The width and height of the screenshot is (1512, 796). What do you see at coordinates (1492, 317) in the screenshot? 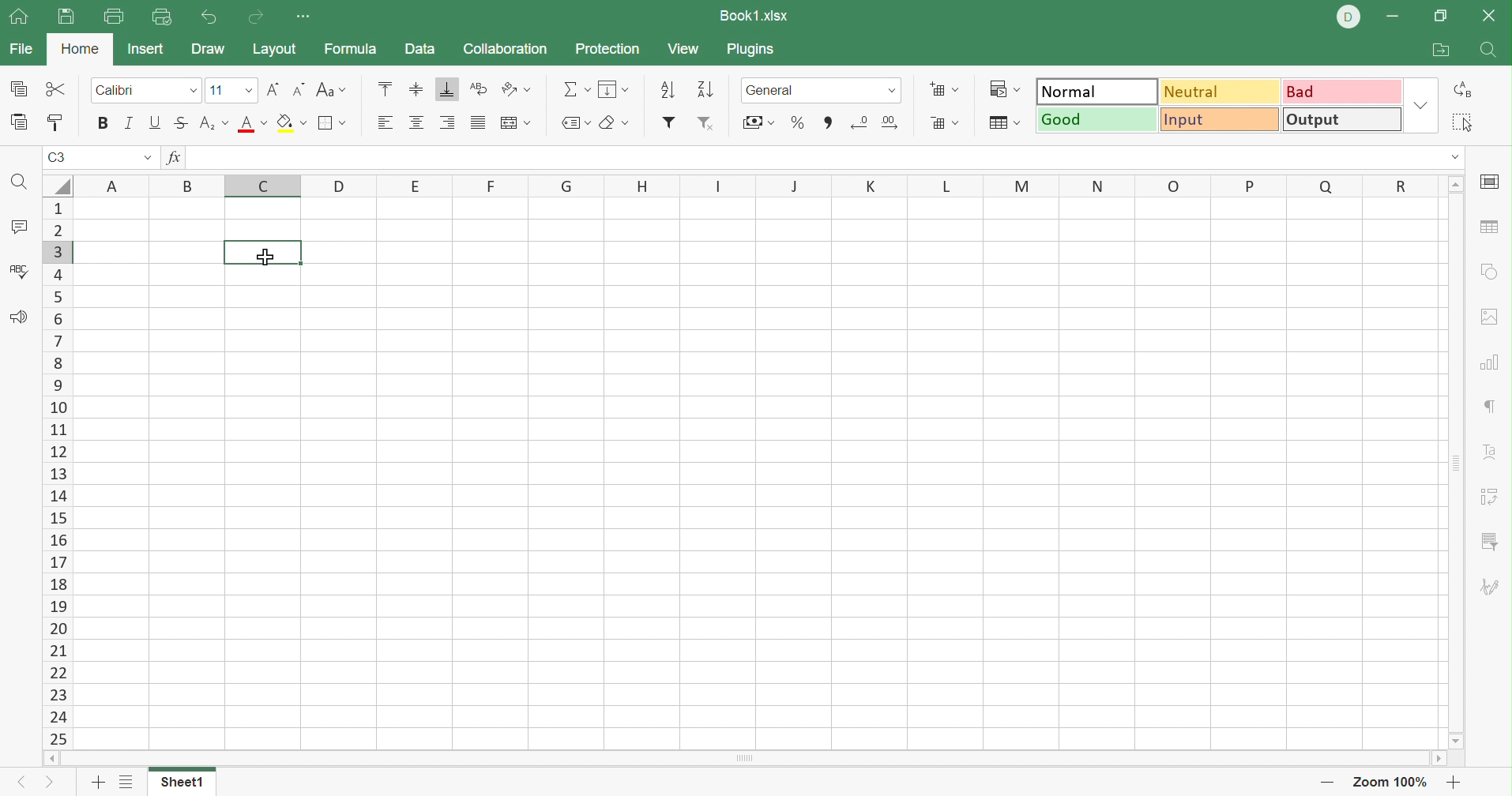
I see `Image settings` at bounding box center [1492, 317].